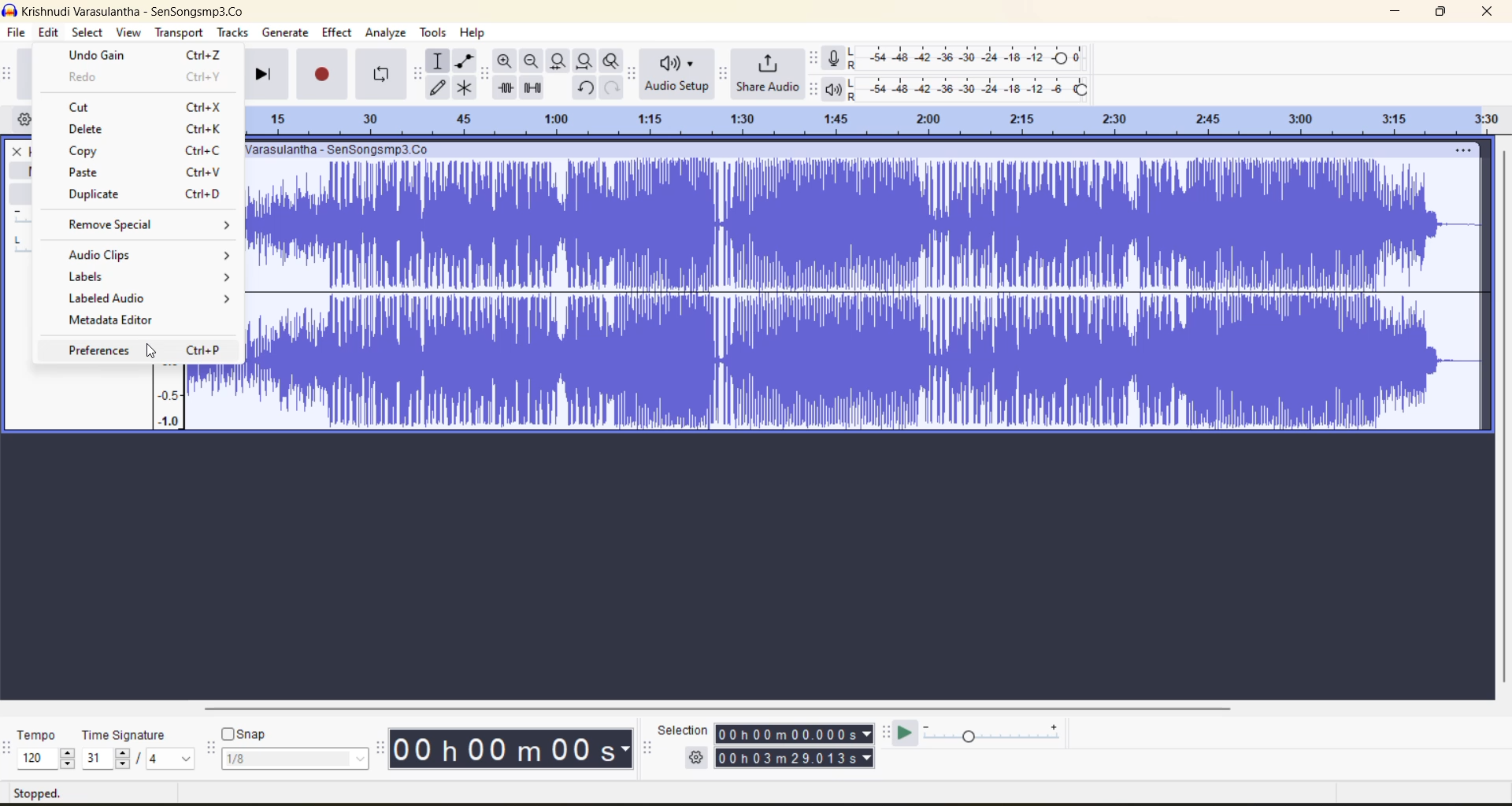 This screenshot has width=1512, height=806. I want to click on delete track, so click(19, 151).